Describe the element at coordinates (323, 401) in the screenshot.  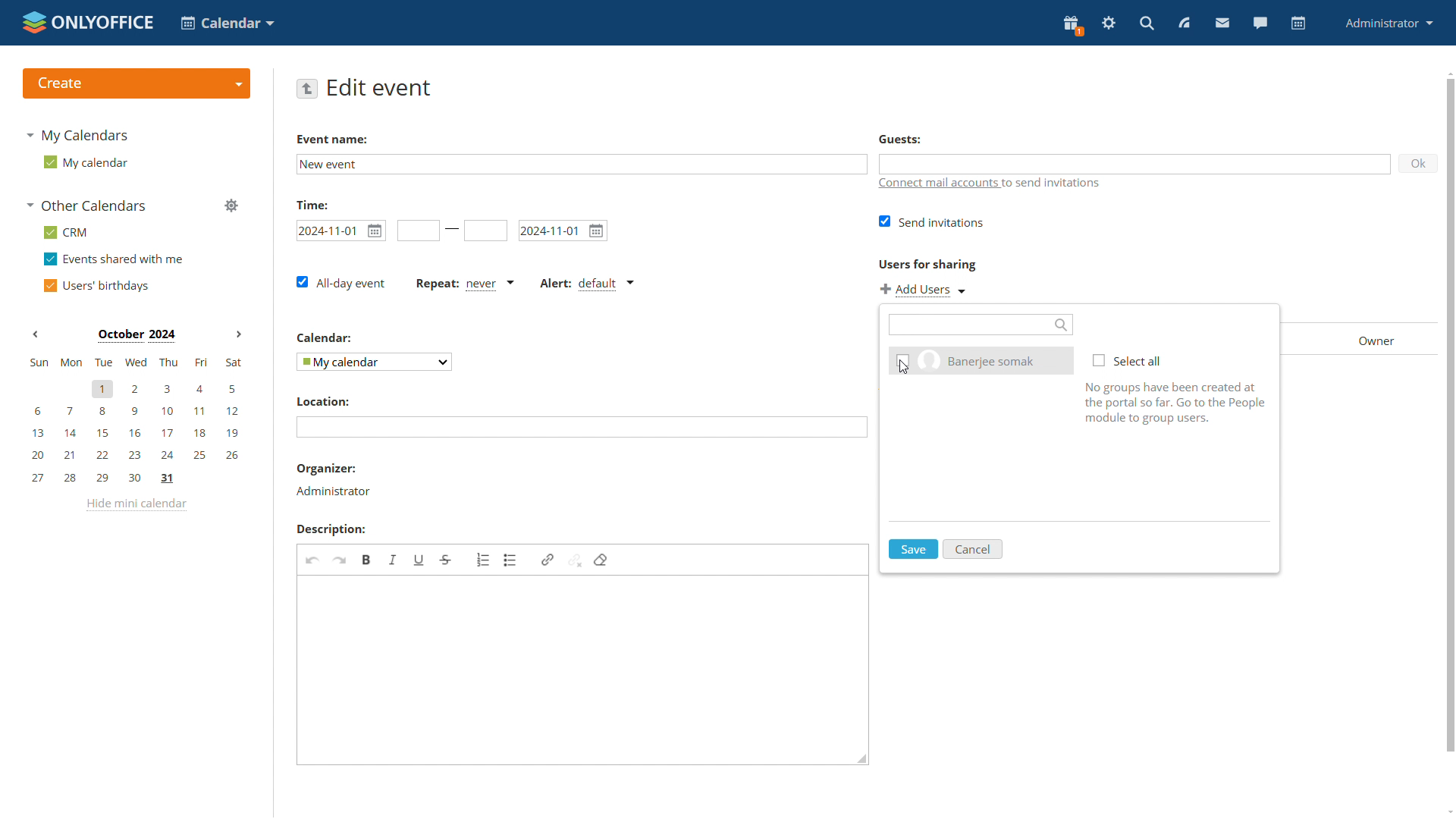
I see `Location` at that location.